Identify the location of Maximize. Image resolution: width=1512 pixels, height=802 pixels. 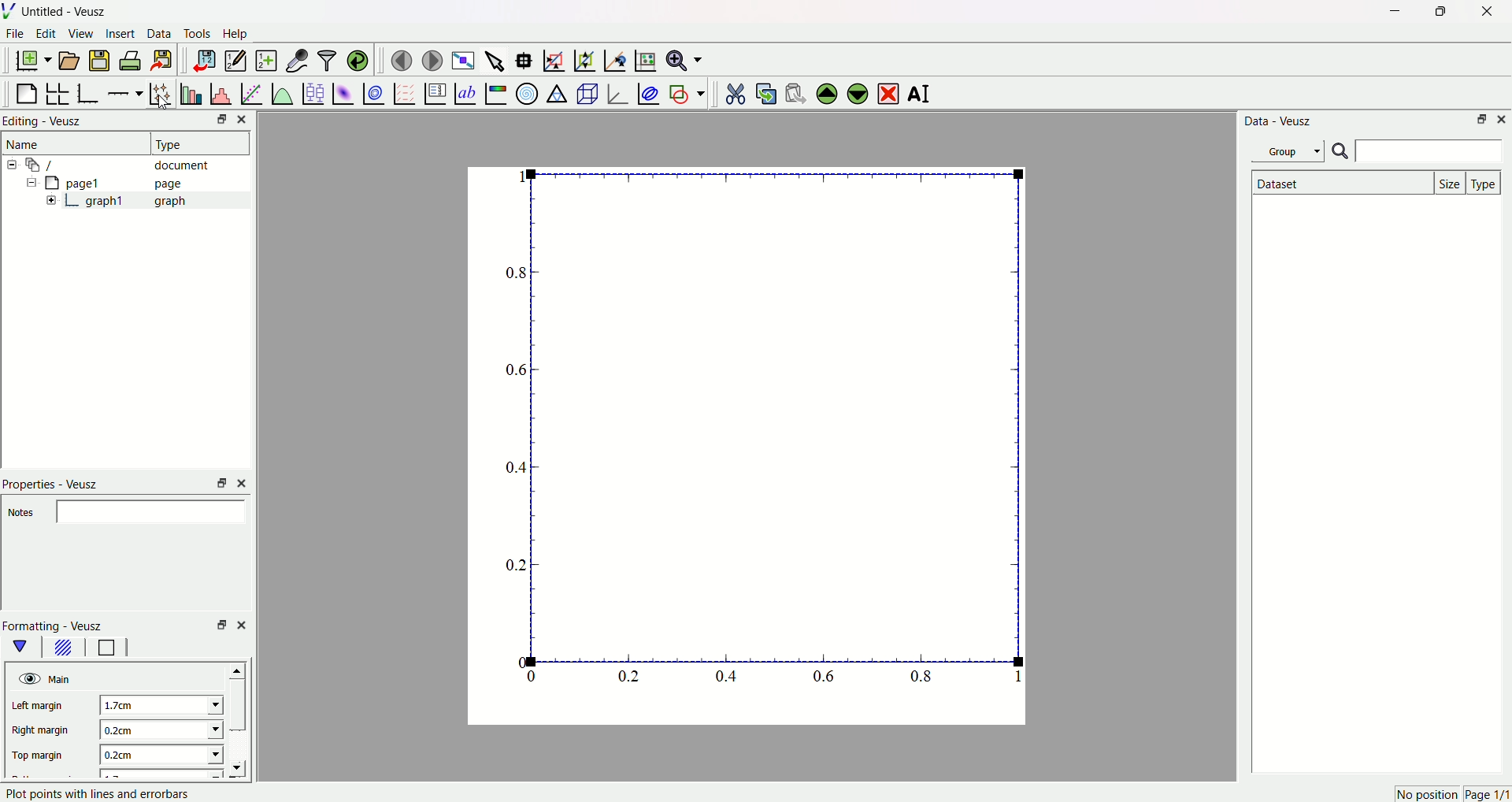
(1437, 12).